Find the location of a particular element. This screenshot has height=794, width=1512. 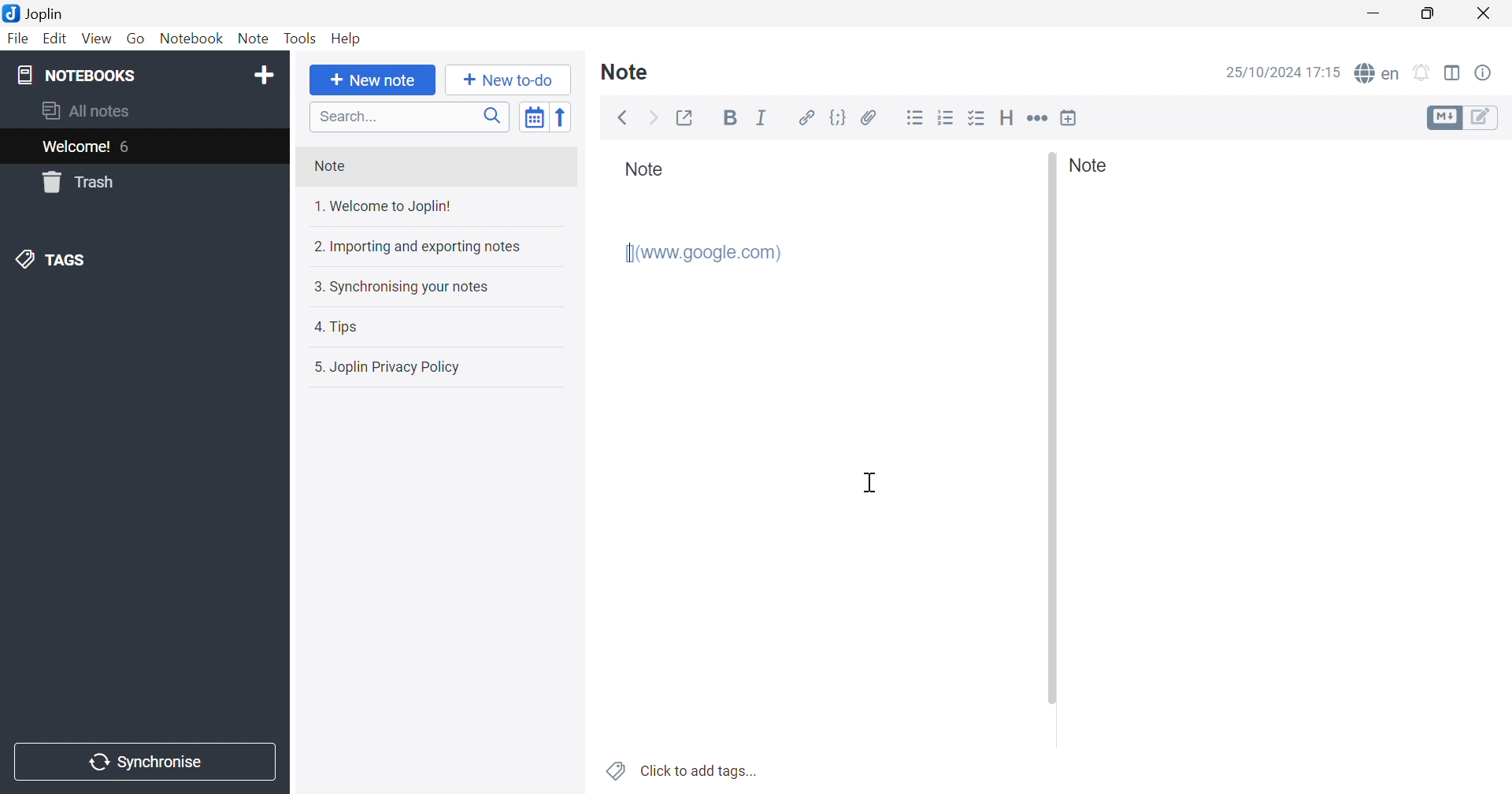

Edit is located at coordinates (56, 39).